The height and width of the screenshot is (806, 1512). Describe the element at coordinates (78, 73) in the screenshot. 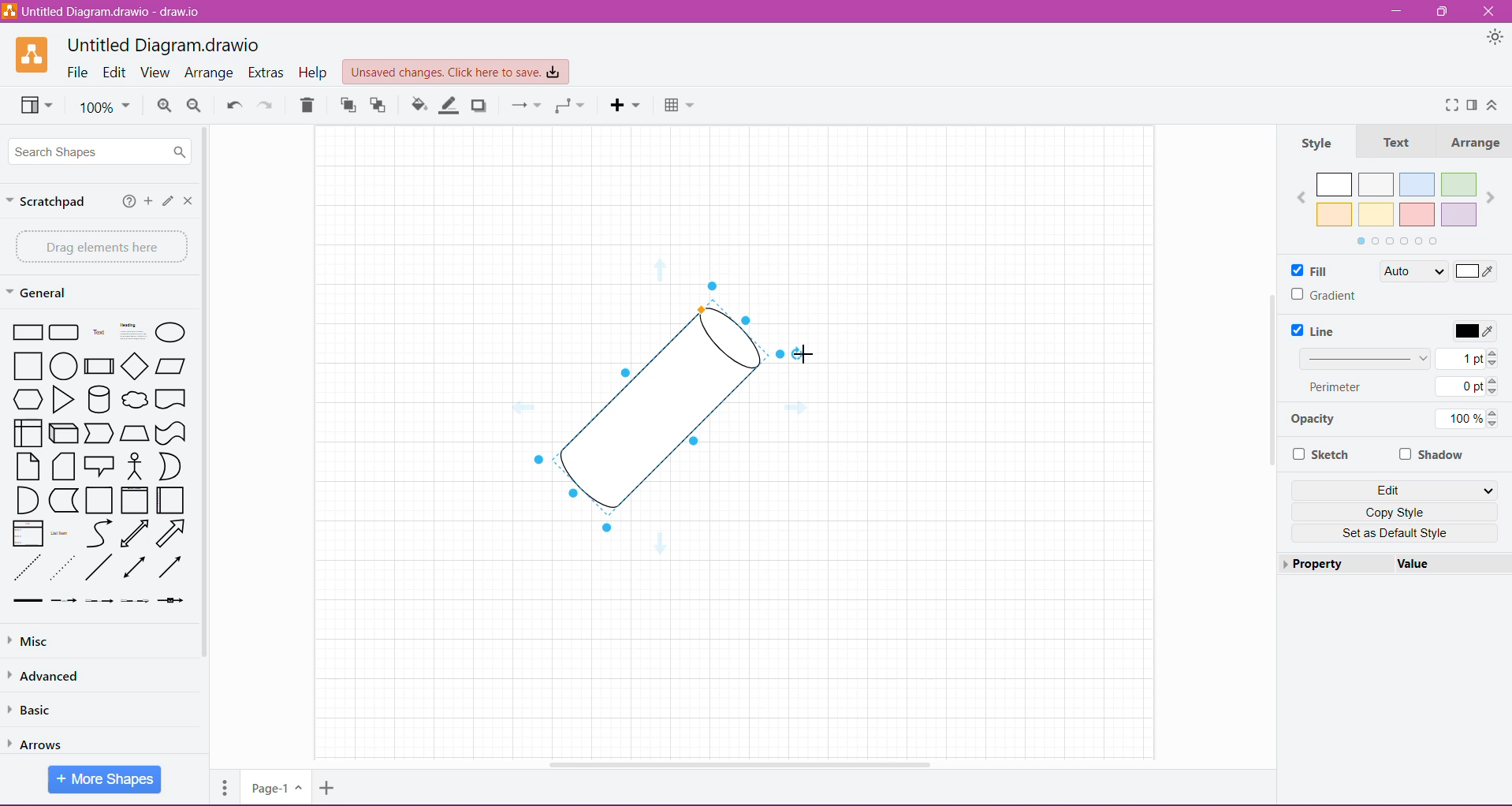

I see `File` at that location.